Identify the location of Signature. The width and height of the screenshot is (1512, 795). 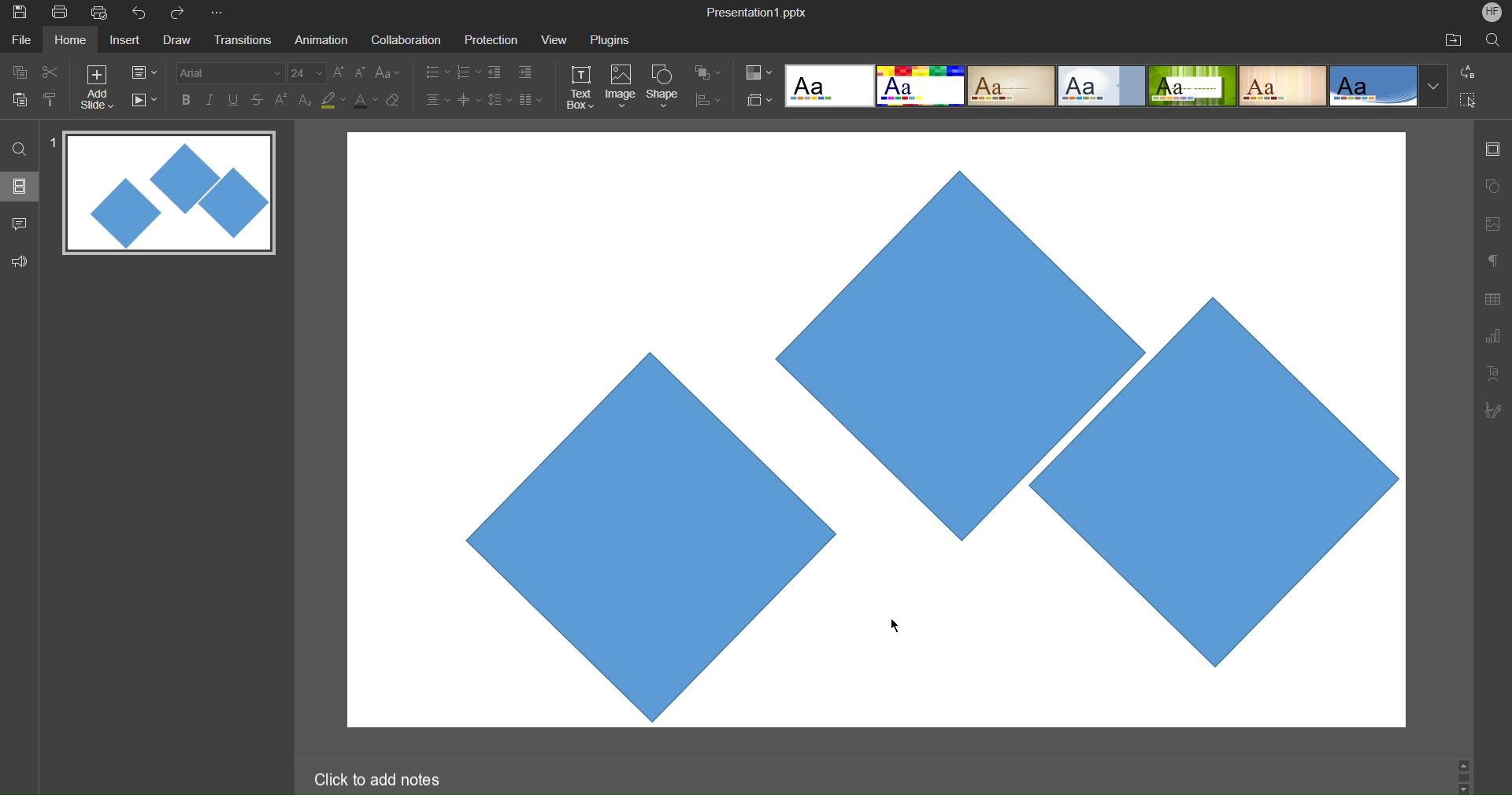
(1492, 410).